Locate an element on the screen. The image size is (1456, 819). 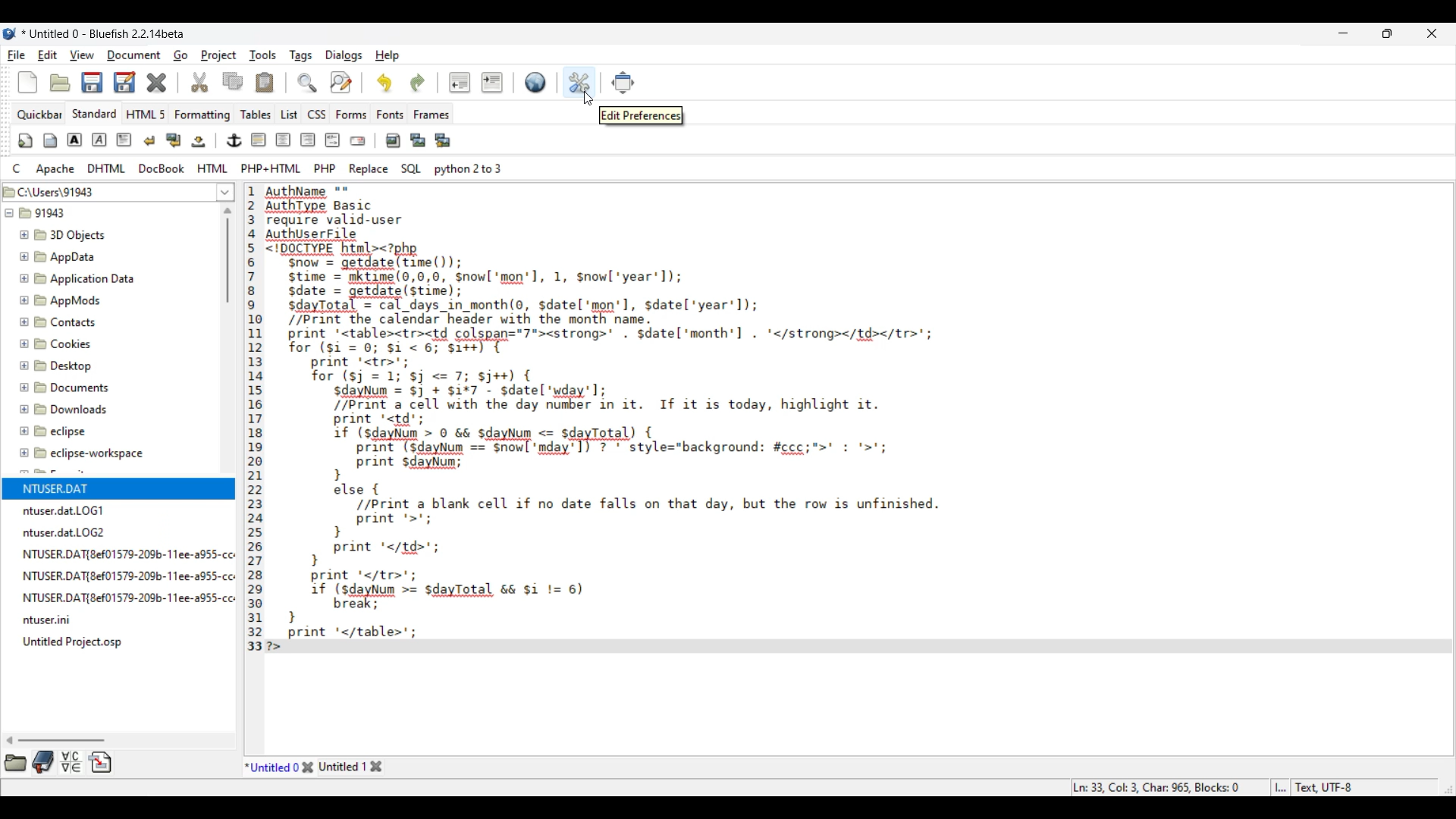
Current code is located at coordinates (687, 420).